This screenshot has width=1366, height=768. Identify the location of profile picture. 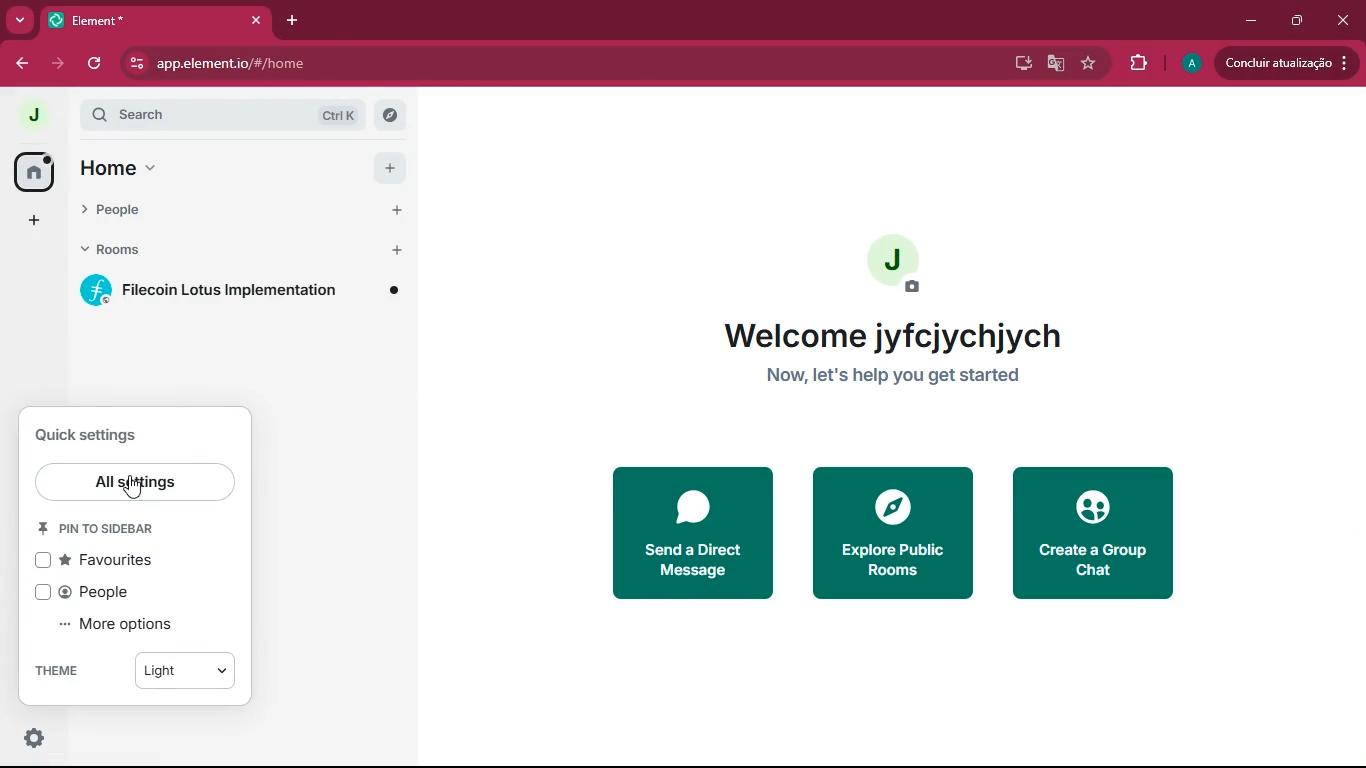
(905, 262).